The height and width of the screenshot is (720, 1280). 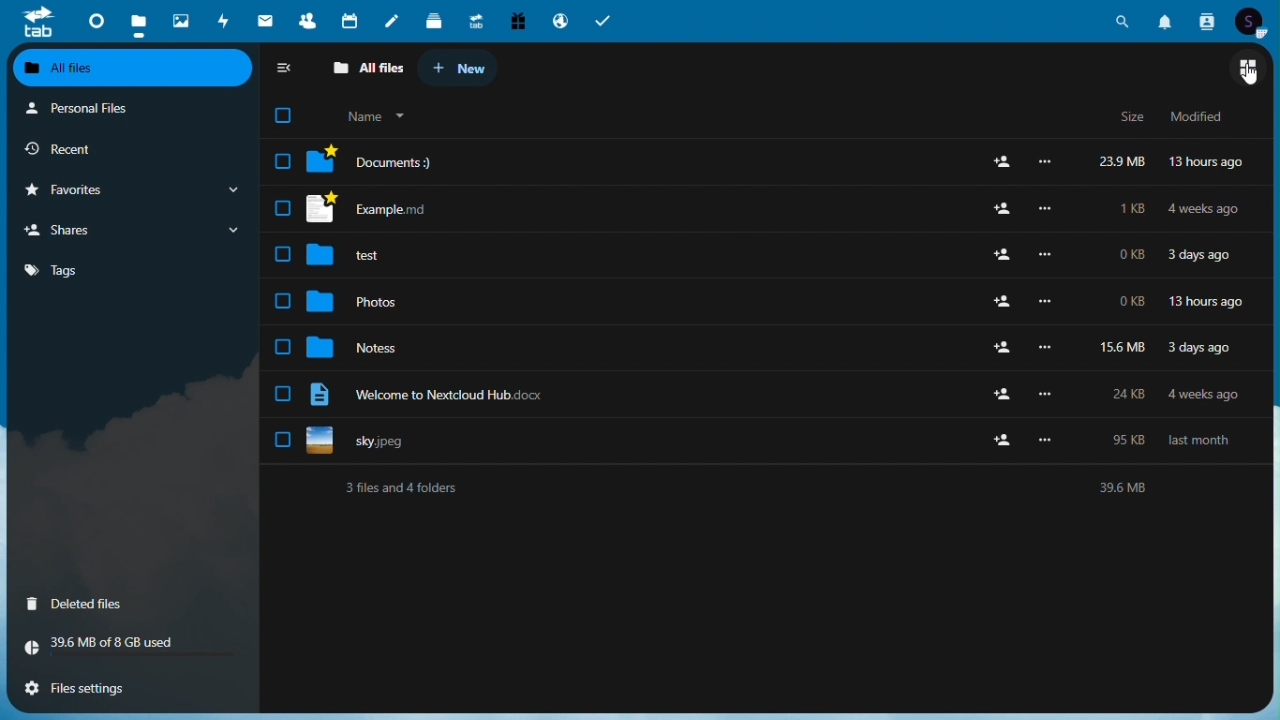 What do you see at coordinates (95, 21) in the screenshot?
I see `dashboard` at bounding box center [95, 21].